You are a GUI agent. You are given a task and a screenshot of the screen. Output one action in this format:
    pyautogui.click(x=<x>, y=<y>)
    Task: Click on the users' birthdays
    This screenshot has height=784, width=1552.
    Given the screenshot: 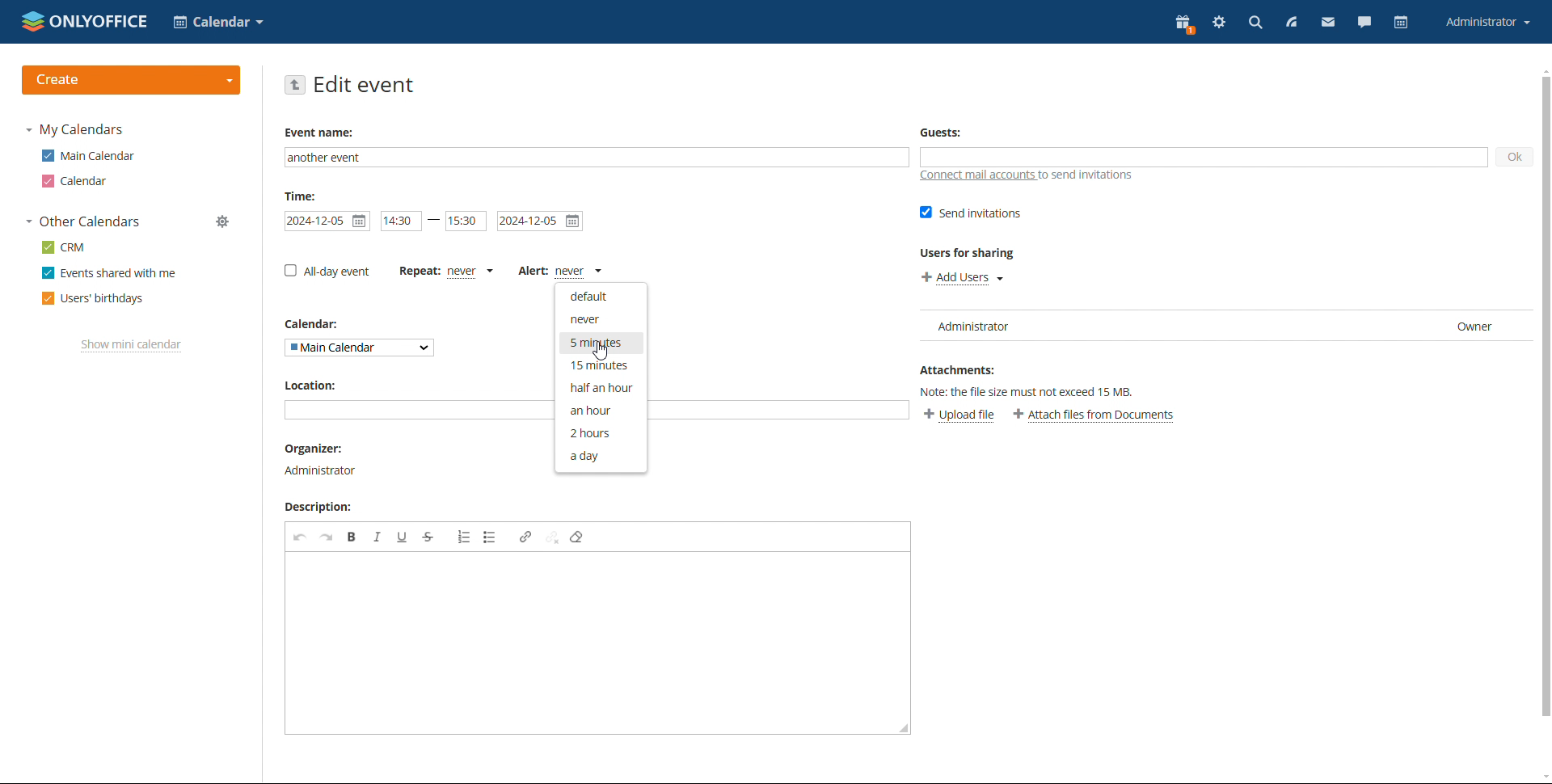 What is the action you would take?
    pyautogui.click(x=93, y=299)
    